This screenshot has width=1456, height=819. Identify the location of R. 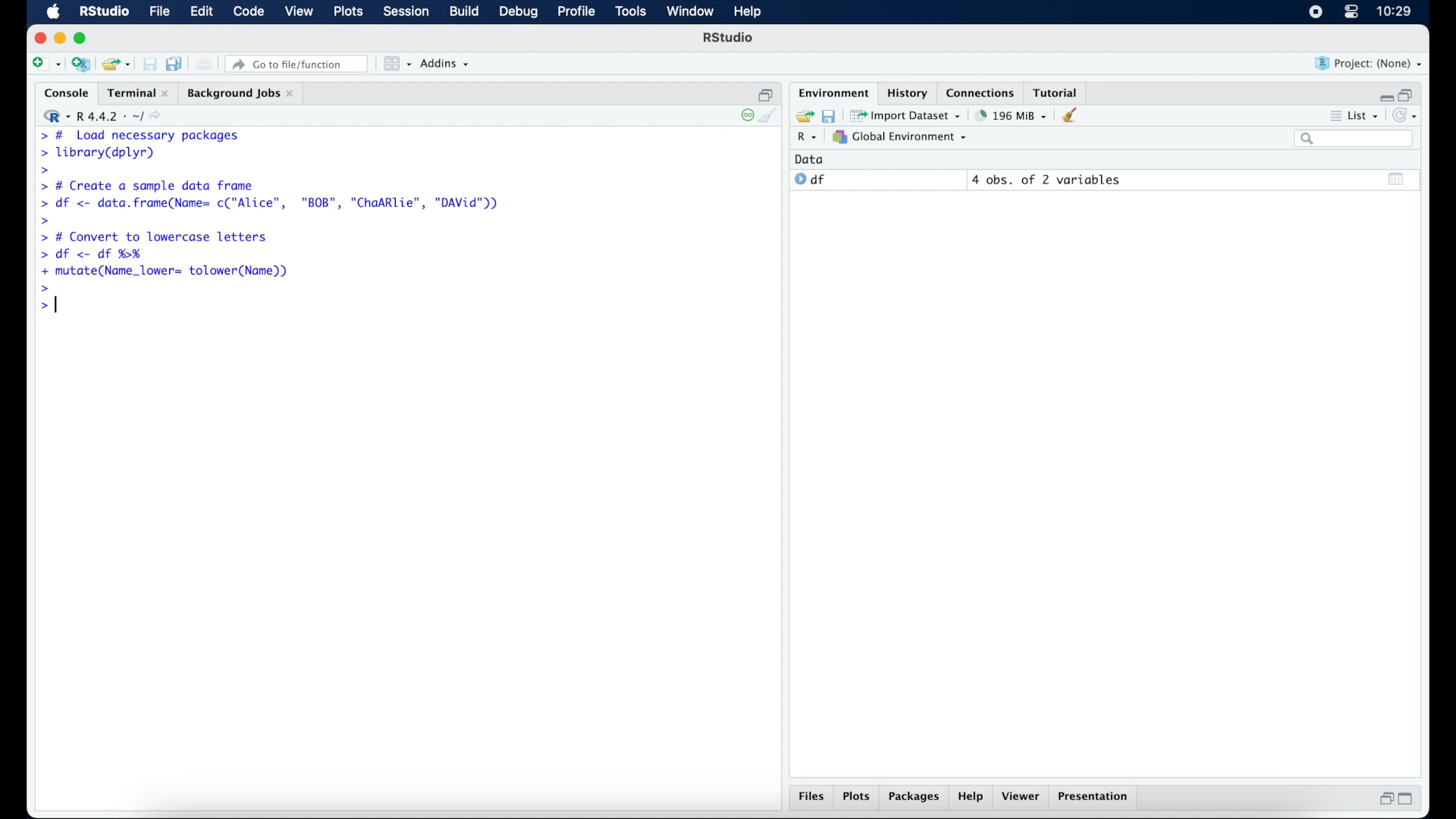
(805, 139).